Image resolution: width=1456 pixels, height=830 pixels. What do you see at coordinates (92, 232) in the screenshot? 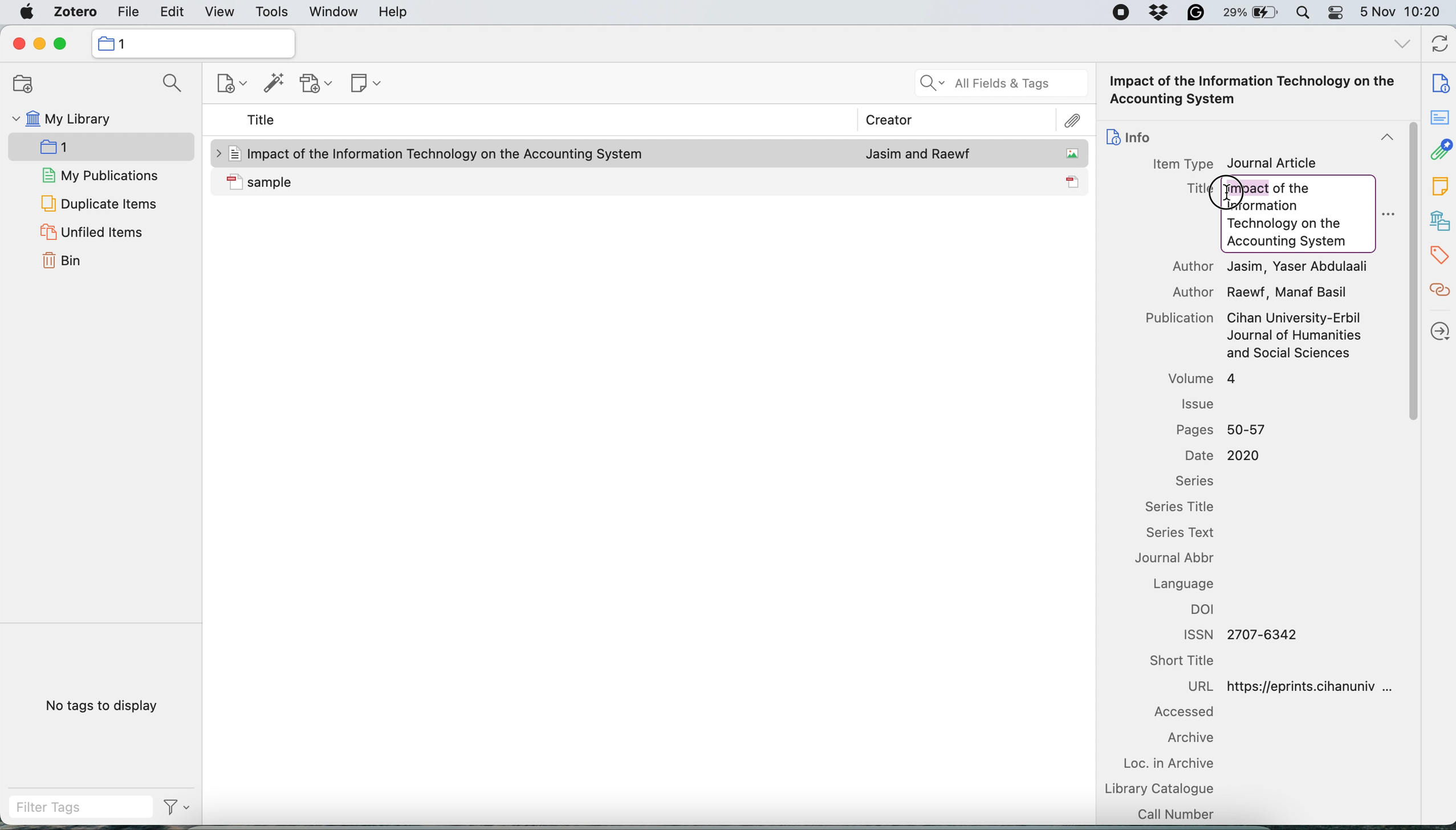
I see `unfiled items` at bounding box center [92, 232].